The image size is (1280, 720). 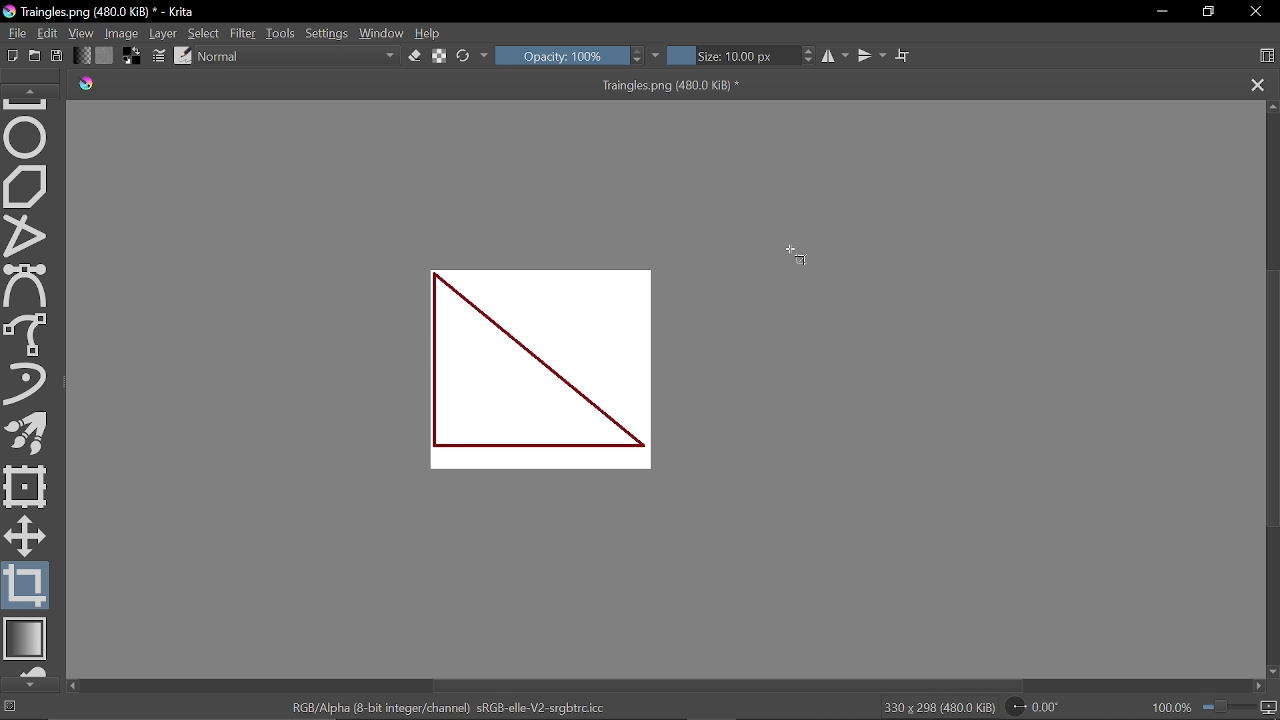 What do you see at coordinates (72, 686) in the screenshot?
I see `move left` at bounding box center [72, 686].